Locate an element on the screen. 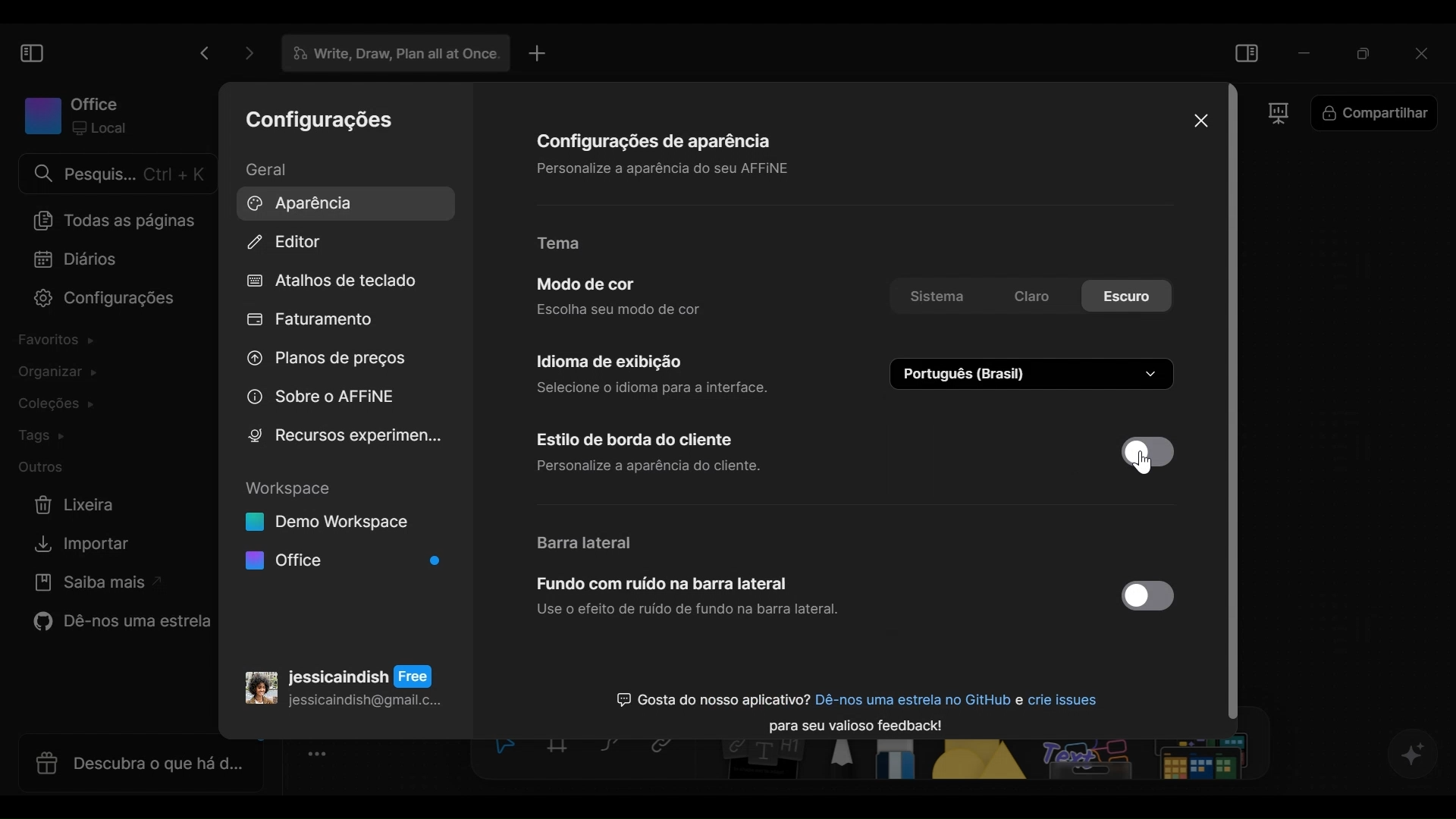  Import is located at coordinates (77, 544).